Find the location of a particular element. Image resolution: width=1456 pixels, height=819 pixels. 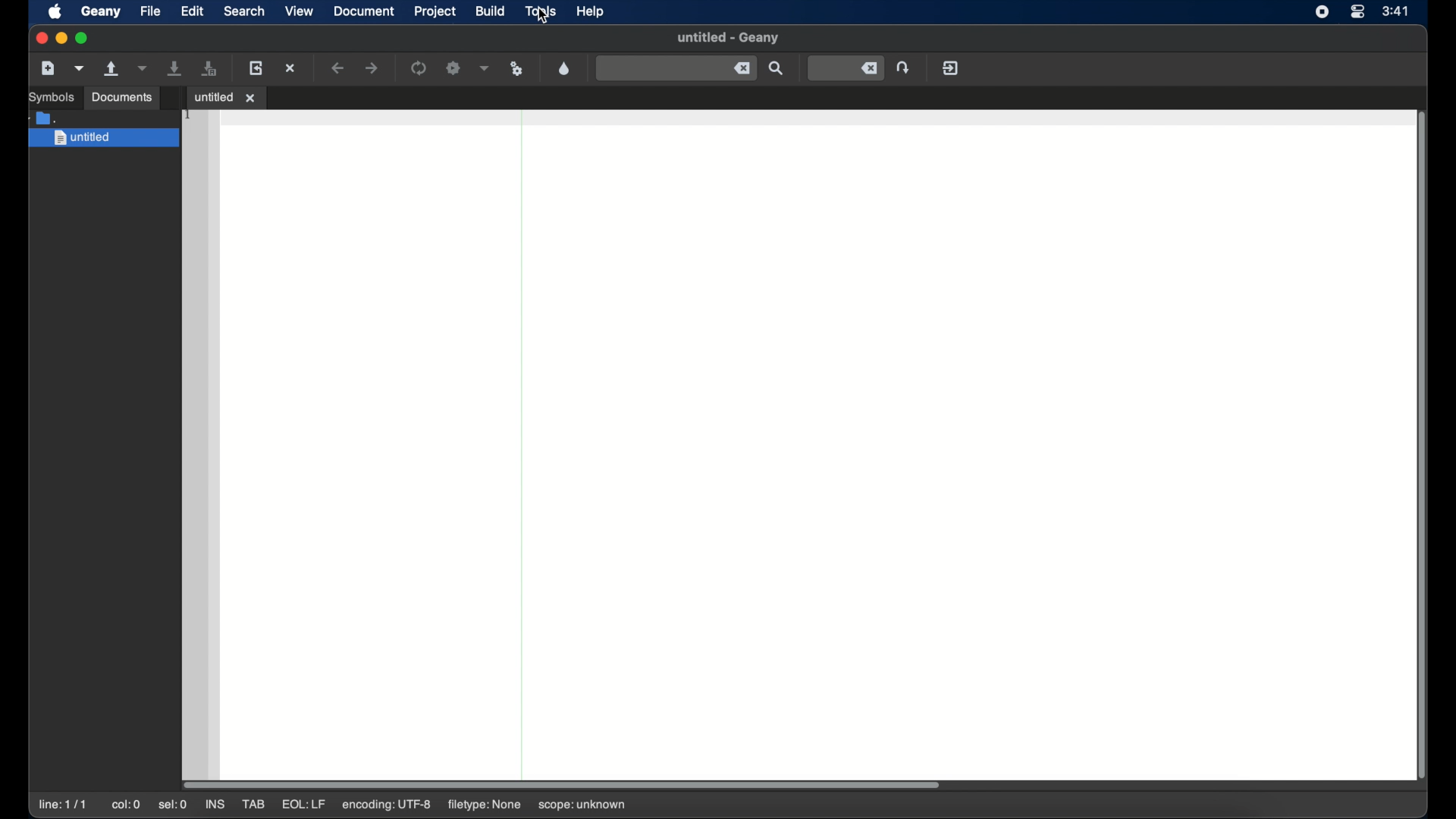

geany is located at coordinates (99, 11).